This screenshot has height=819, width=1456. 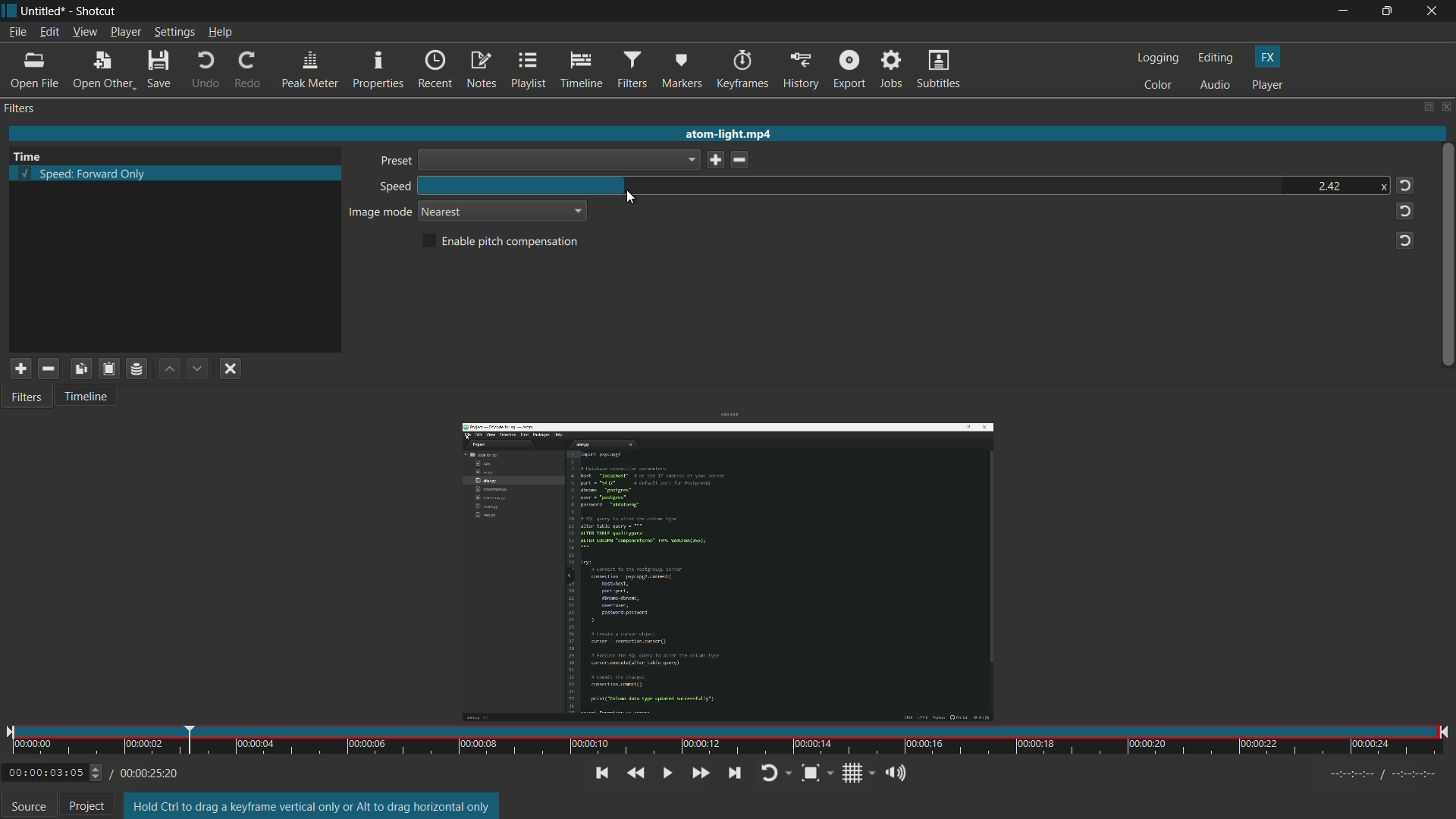 I want to click on toggle play or pause, so click(x=668, y=773).